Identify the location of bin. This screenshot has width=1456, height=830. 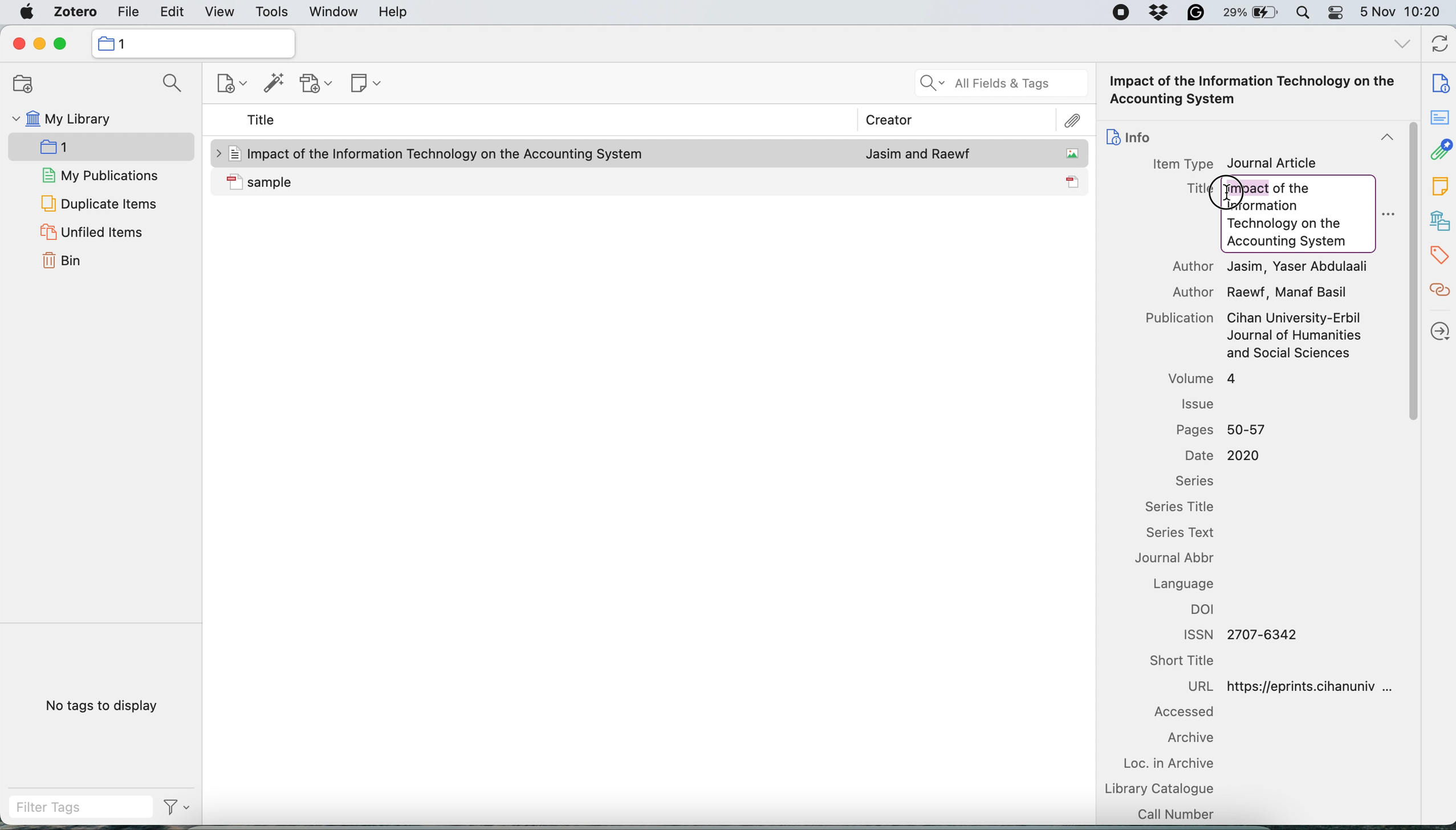
(63, 262).